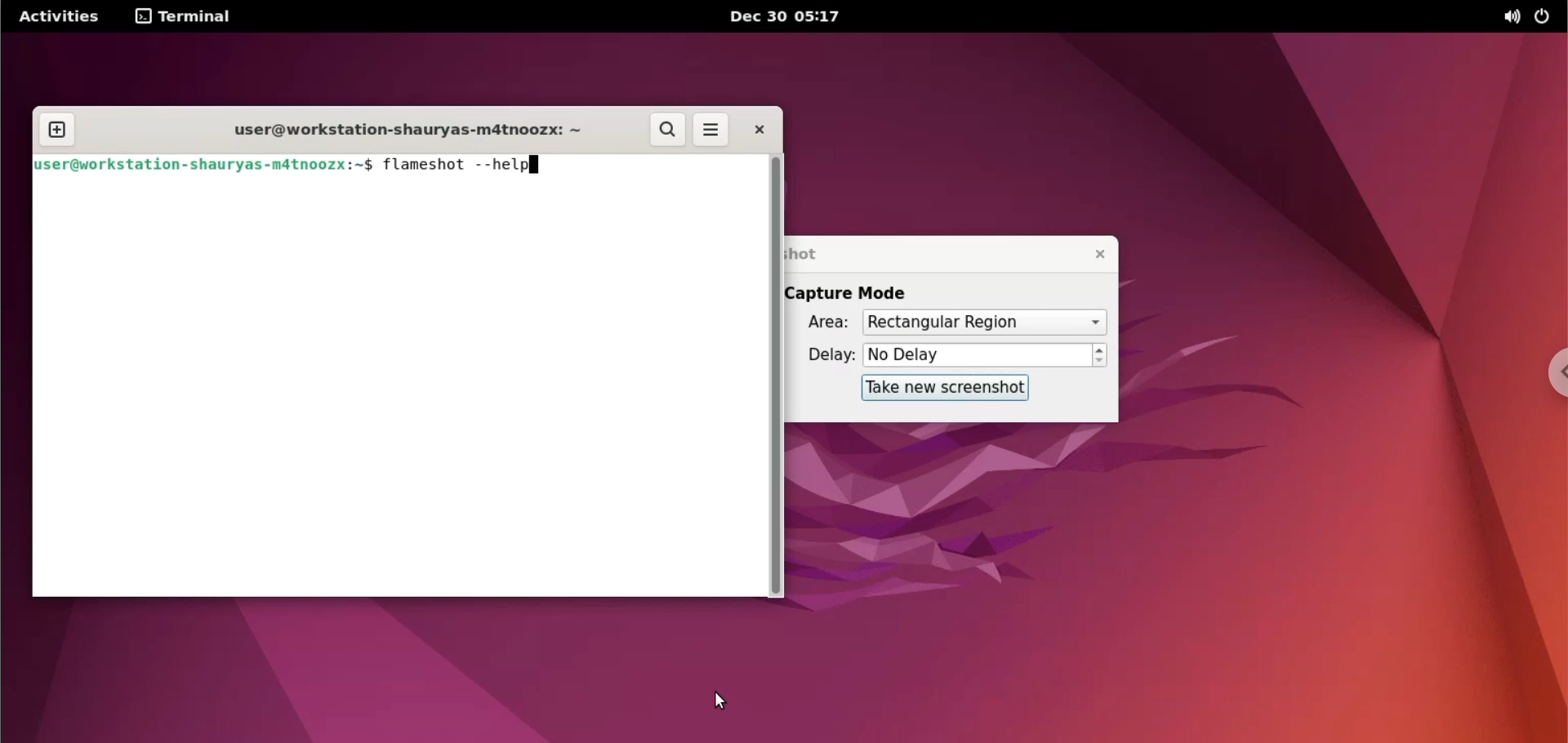 The width and height of the screenshot is (1568, 743). I want to click on close, so click(766, 130).